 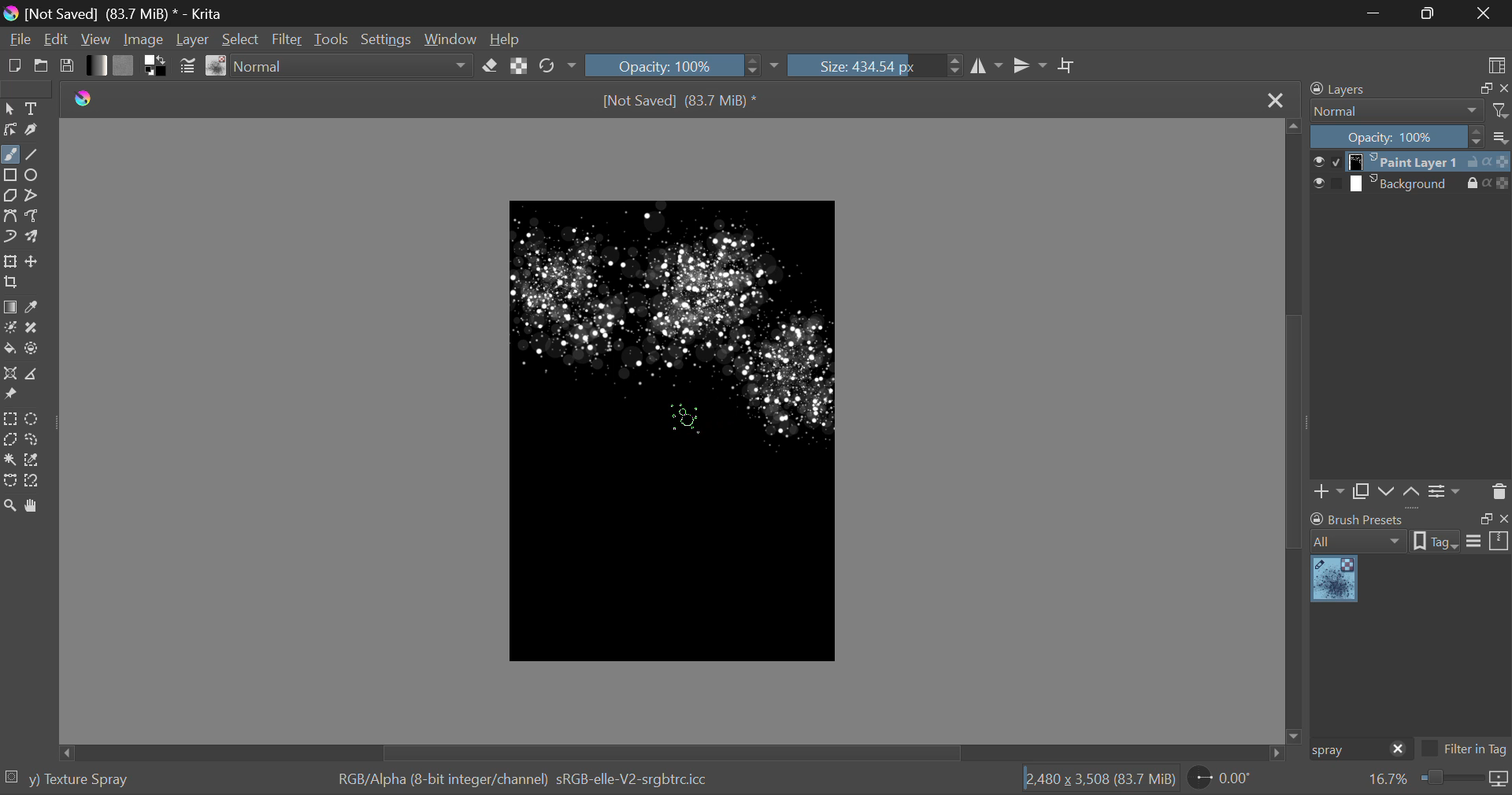 What do you see at coordinates (1326, 161) in the screenshot?
I see `checkbox` at bounding box center [1326, 161].